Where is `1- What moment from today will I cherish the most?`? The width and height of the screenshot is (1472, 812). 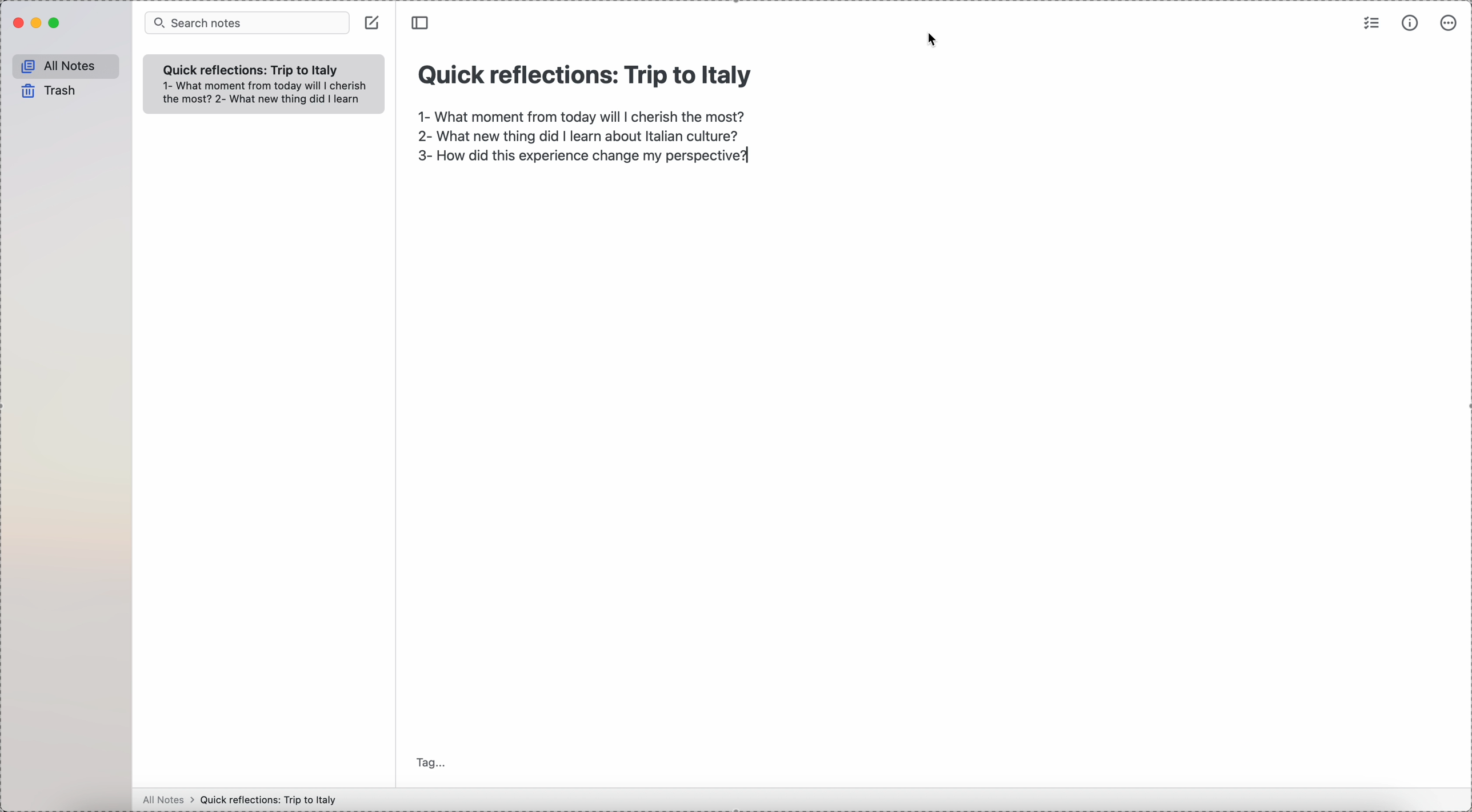
1- What moment from today will I cherish the most? is located at coordinates (583, 115).